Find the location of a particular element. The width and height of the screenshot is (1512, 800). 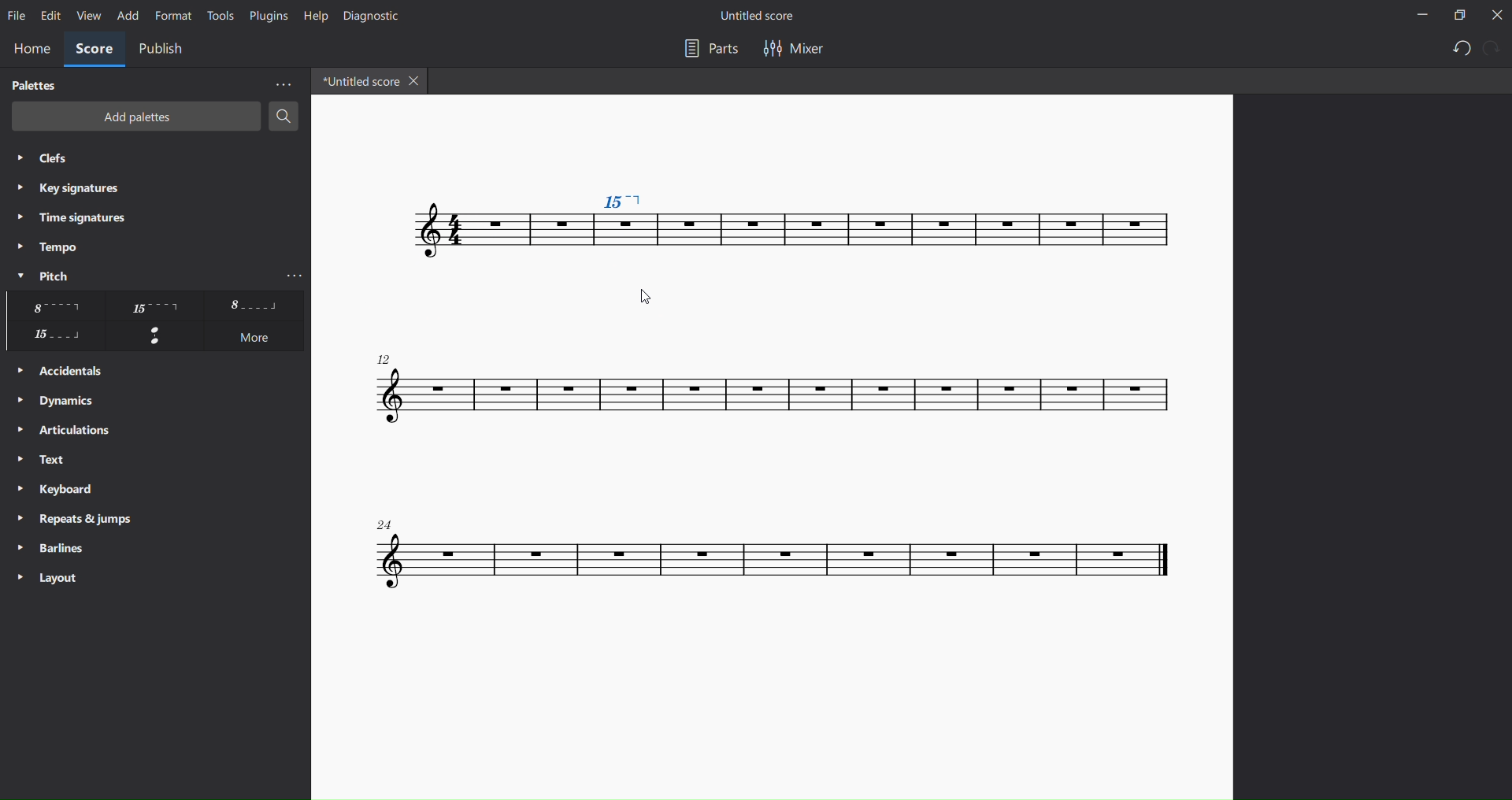

key signatures is located at coordinates (70, 187).